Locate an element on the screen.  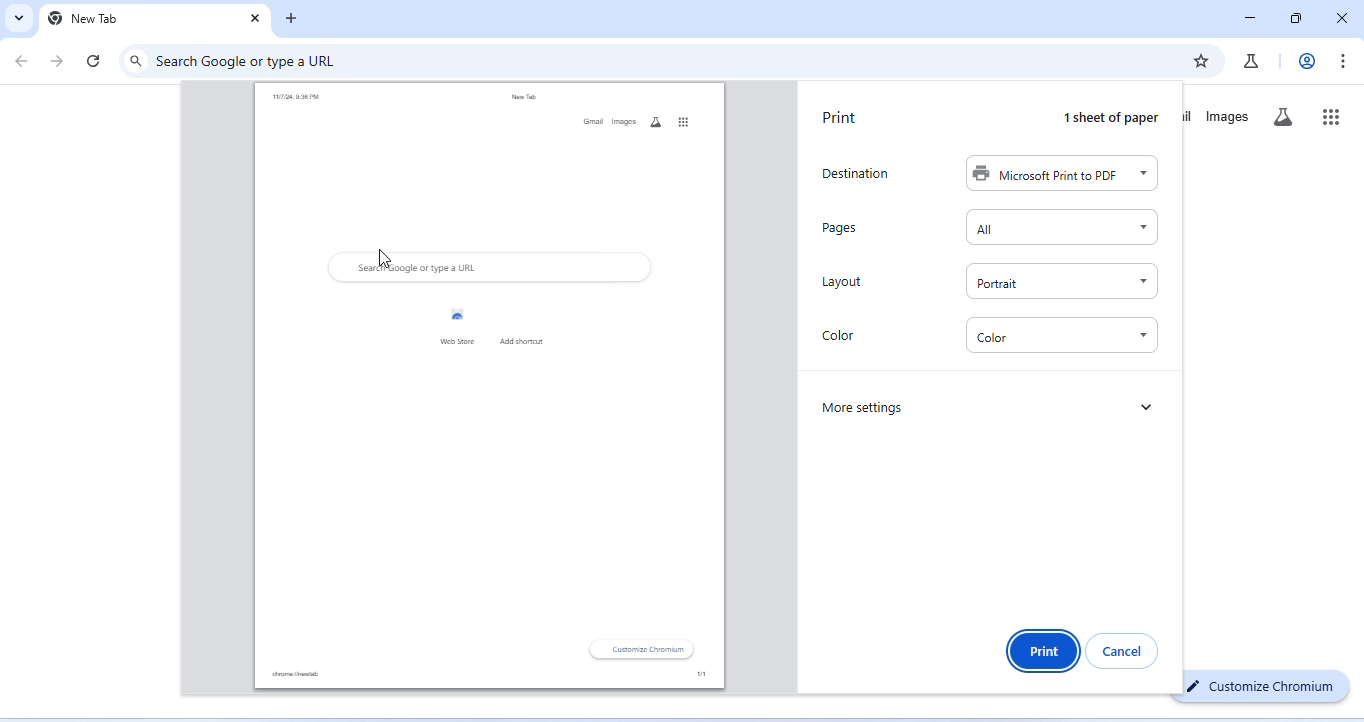
google apps is located at coordinates (1332, 115).